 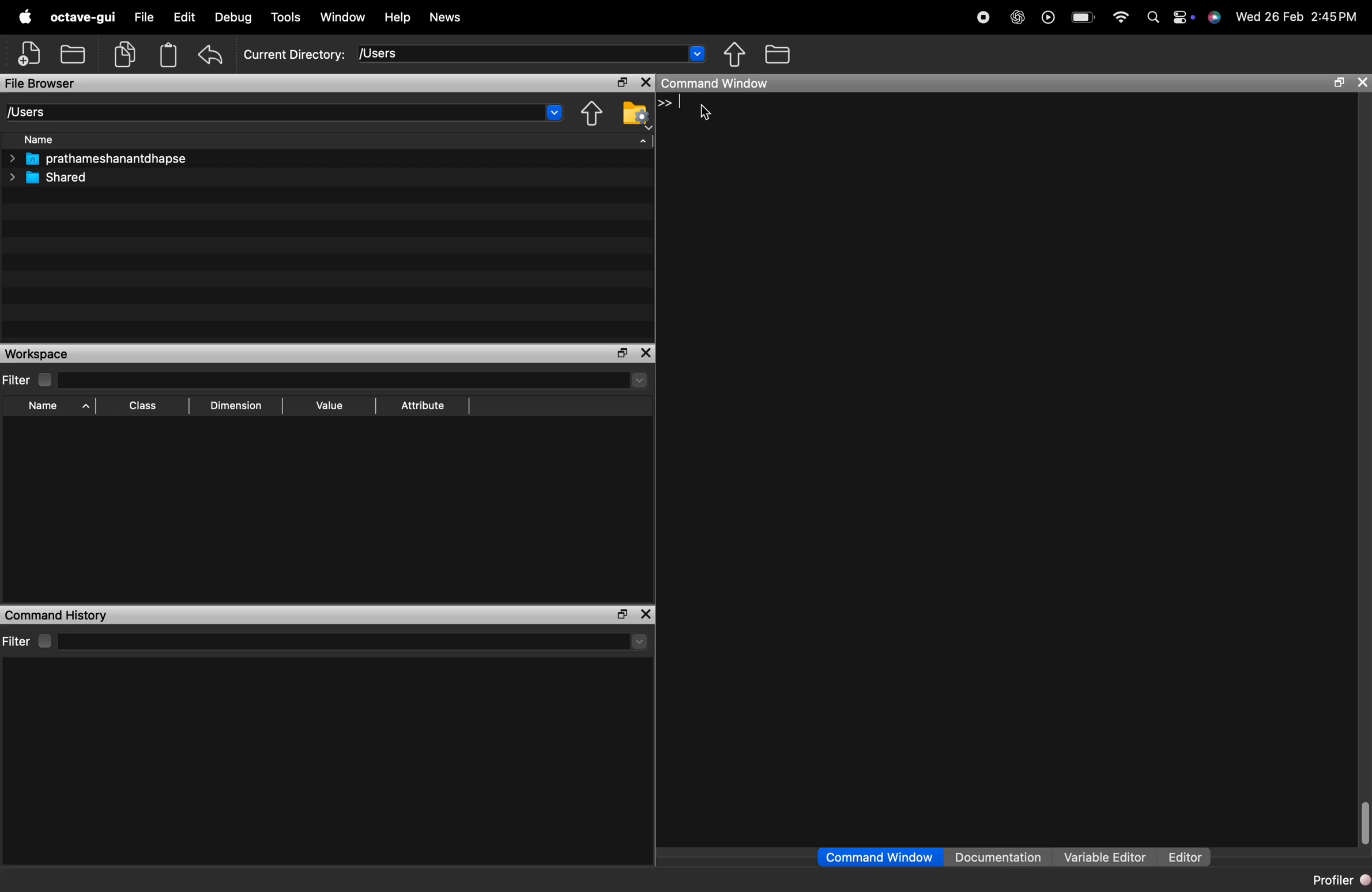 What do you see at coordinates (1335, 85) in the screenshot?
I see `maximise` at bounding box center [1335, 85].